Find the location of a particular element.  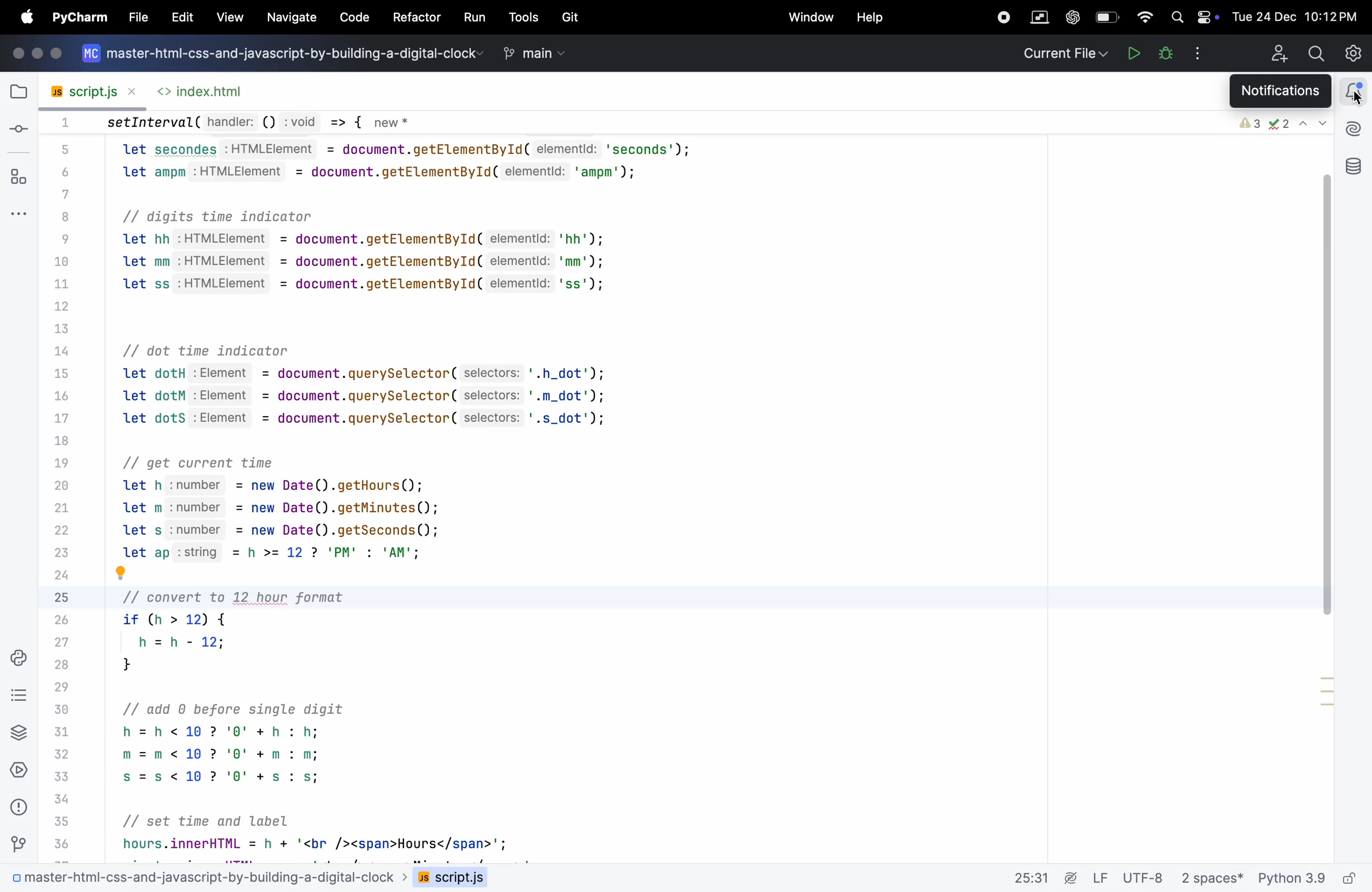

notifications is located at coordinates (1277, 91).